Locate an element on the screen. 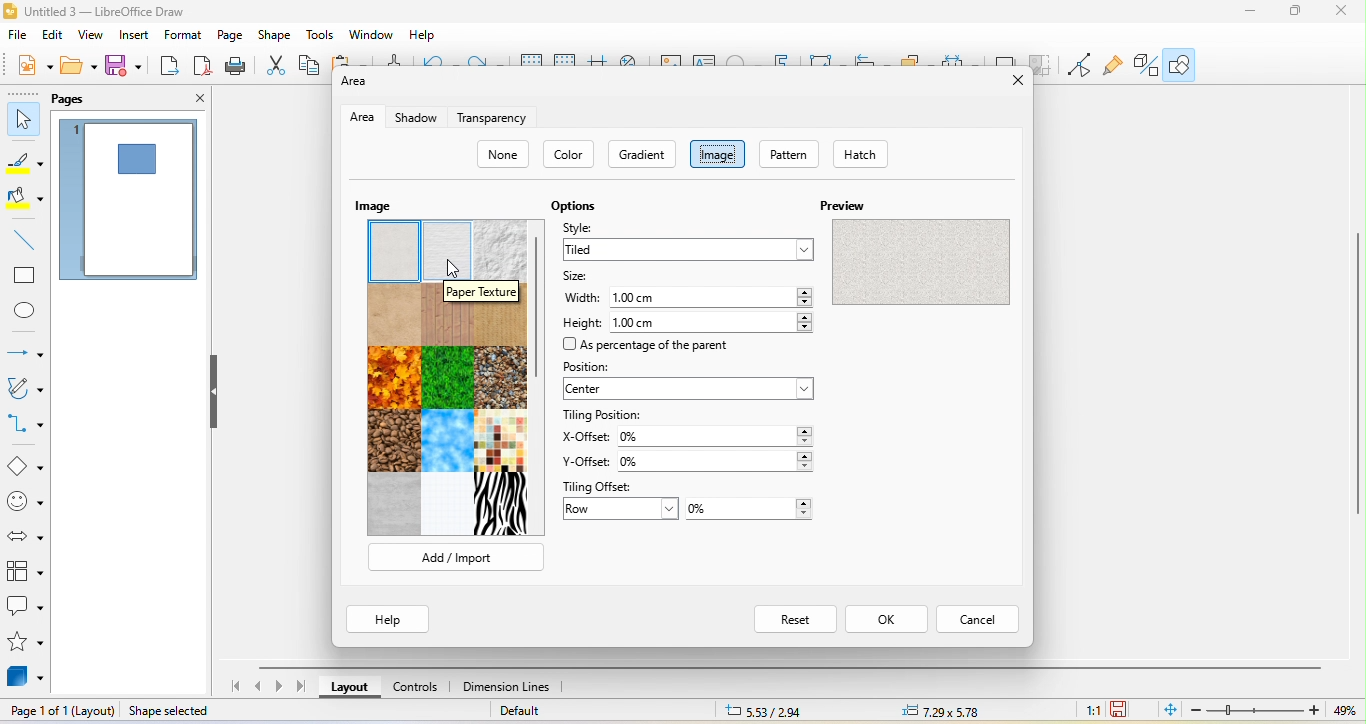 This screenshot has width=1366, height=724. 1.00 cm is located at coordinates (710, 294).